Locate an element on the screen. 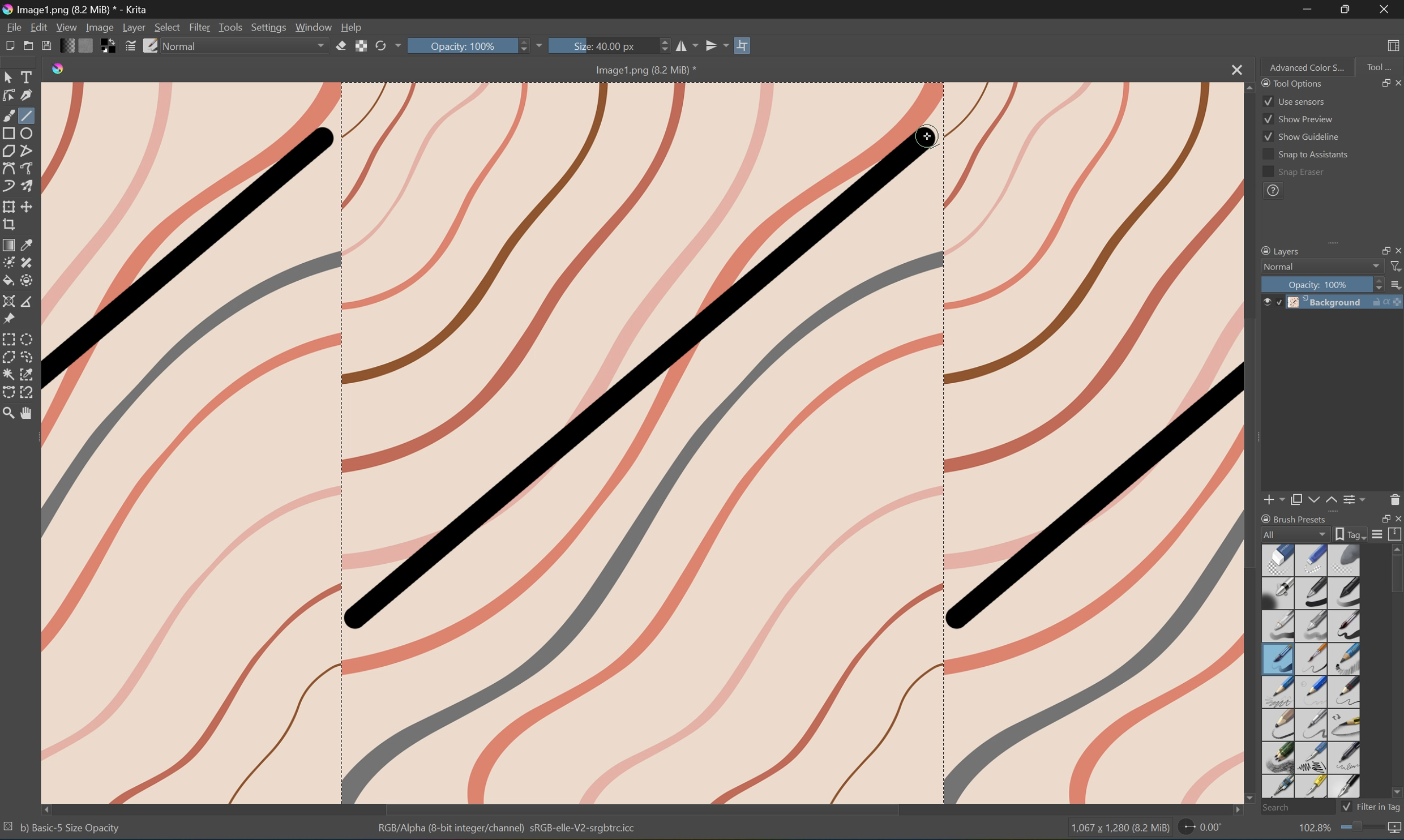 This screenshot has width=1404, height=840. Filter in tag is located at coordinates (1380, 807).